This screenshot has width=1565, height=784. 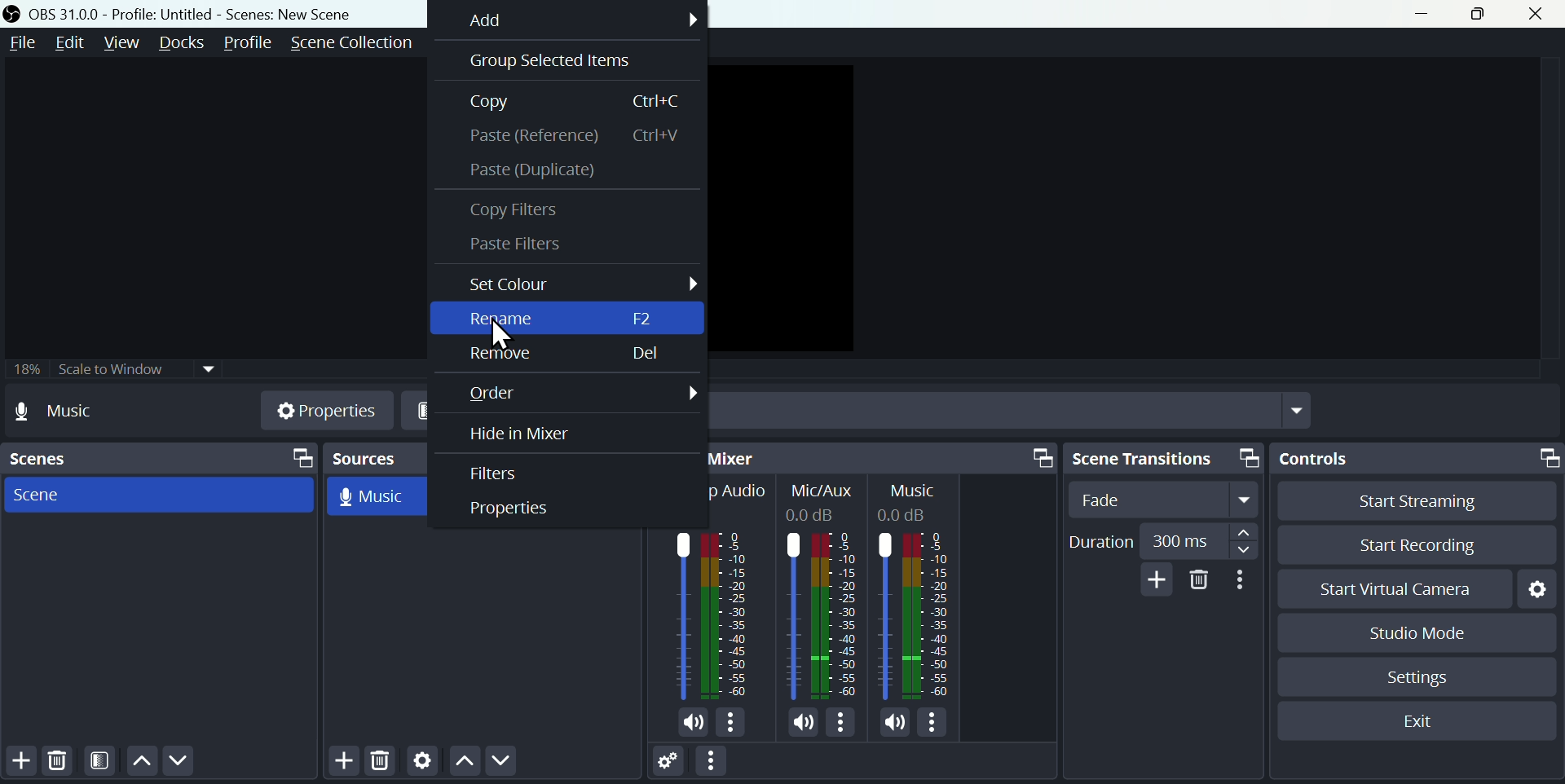 I want to click on Studio mode, so click(x=1420, y=632).